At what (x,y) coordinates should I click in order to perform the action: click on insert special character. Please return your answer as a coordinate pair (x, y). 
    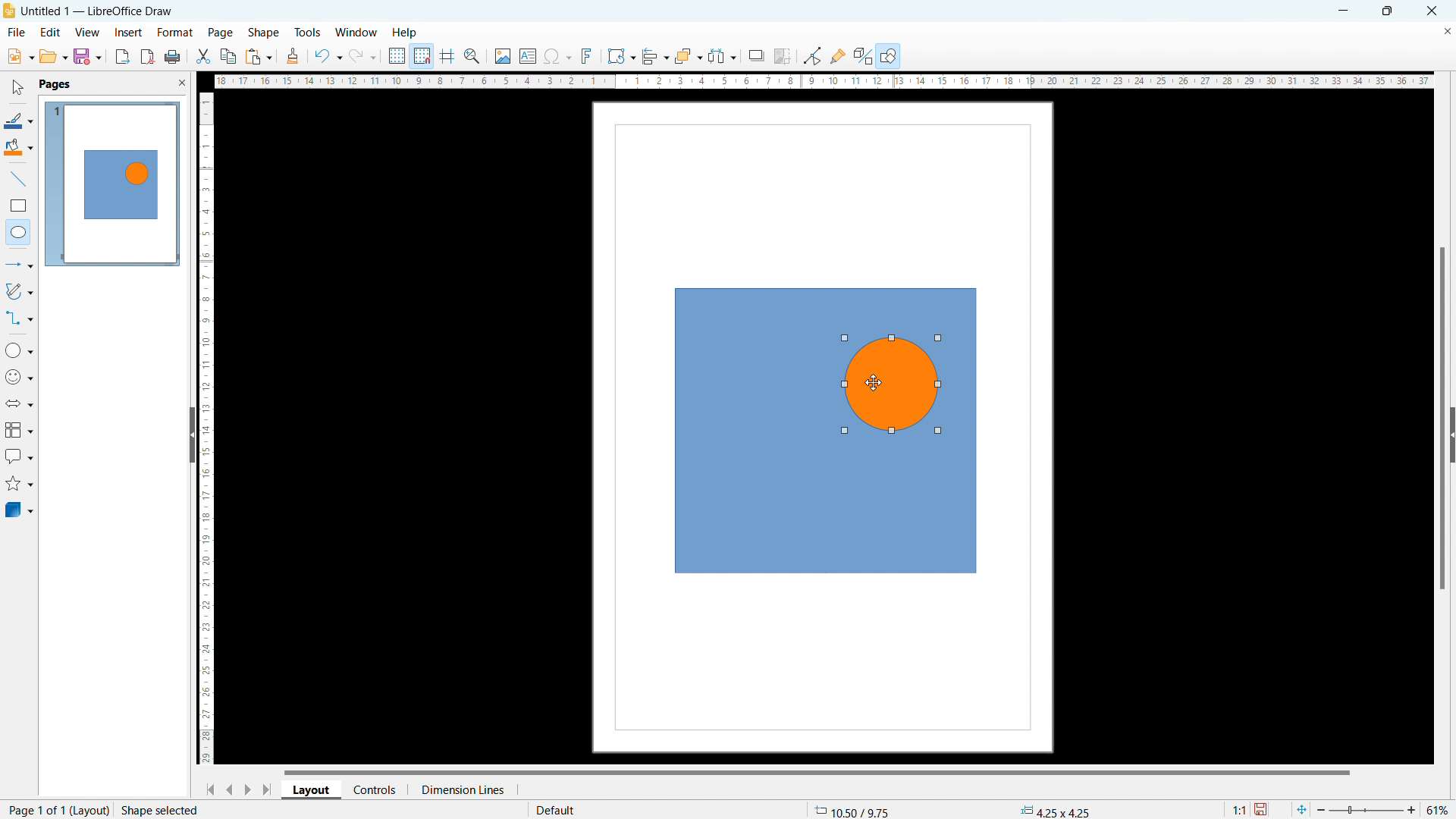
    Looking at the image, I should click on (558, 56).